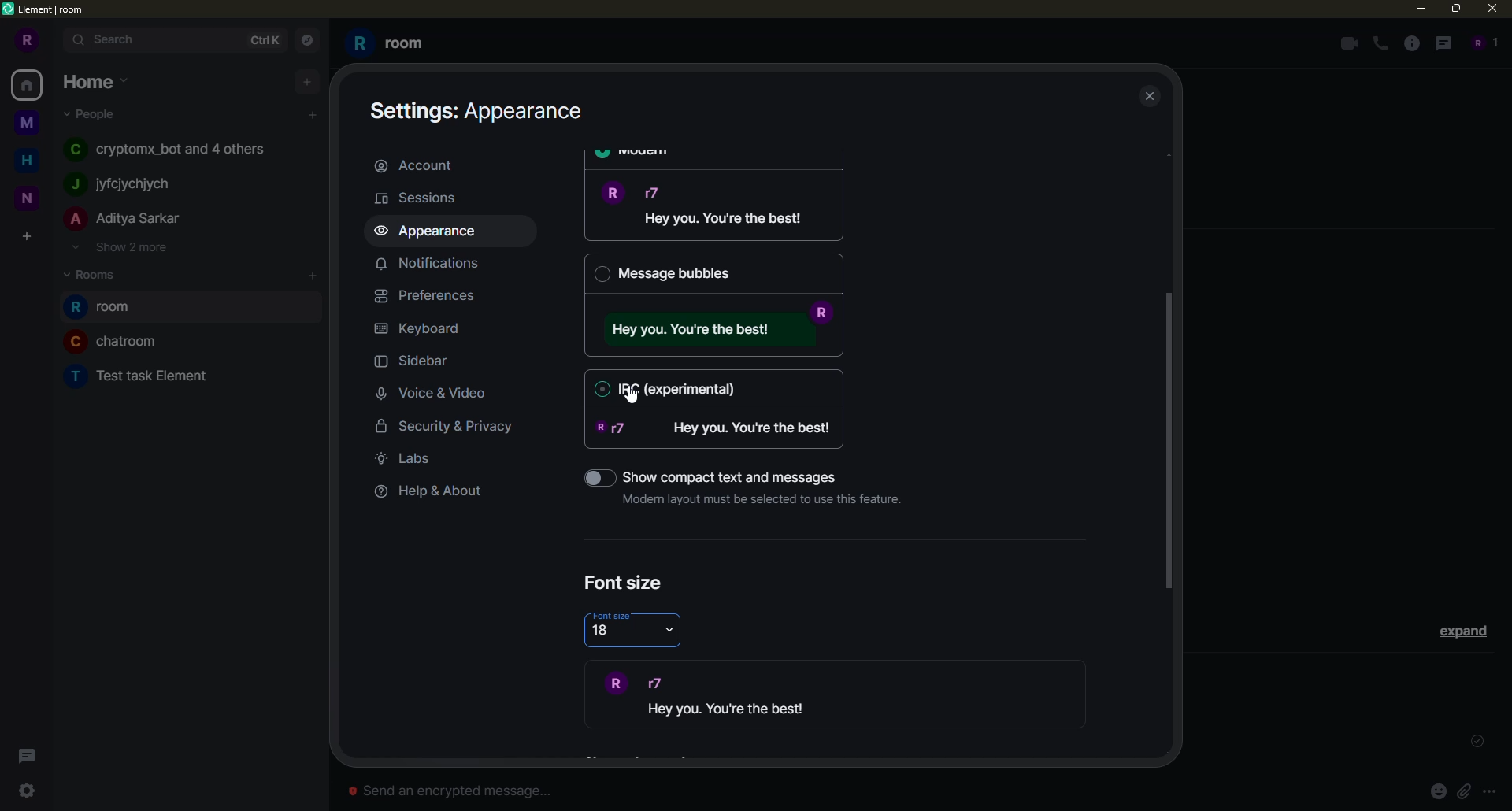 Image resolution: width=1512 pixels, height=811 pixels. What do you see at coordinates (1457, 9) in the screenshot?
I see `maximize` at bounding box center [1457, 9].